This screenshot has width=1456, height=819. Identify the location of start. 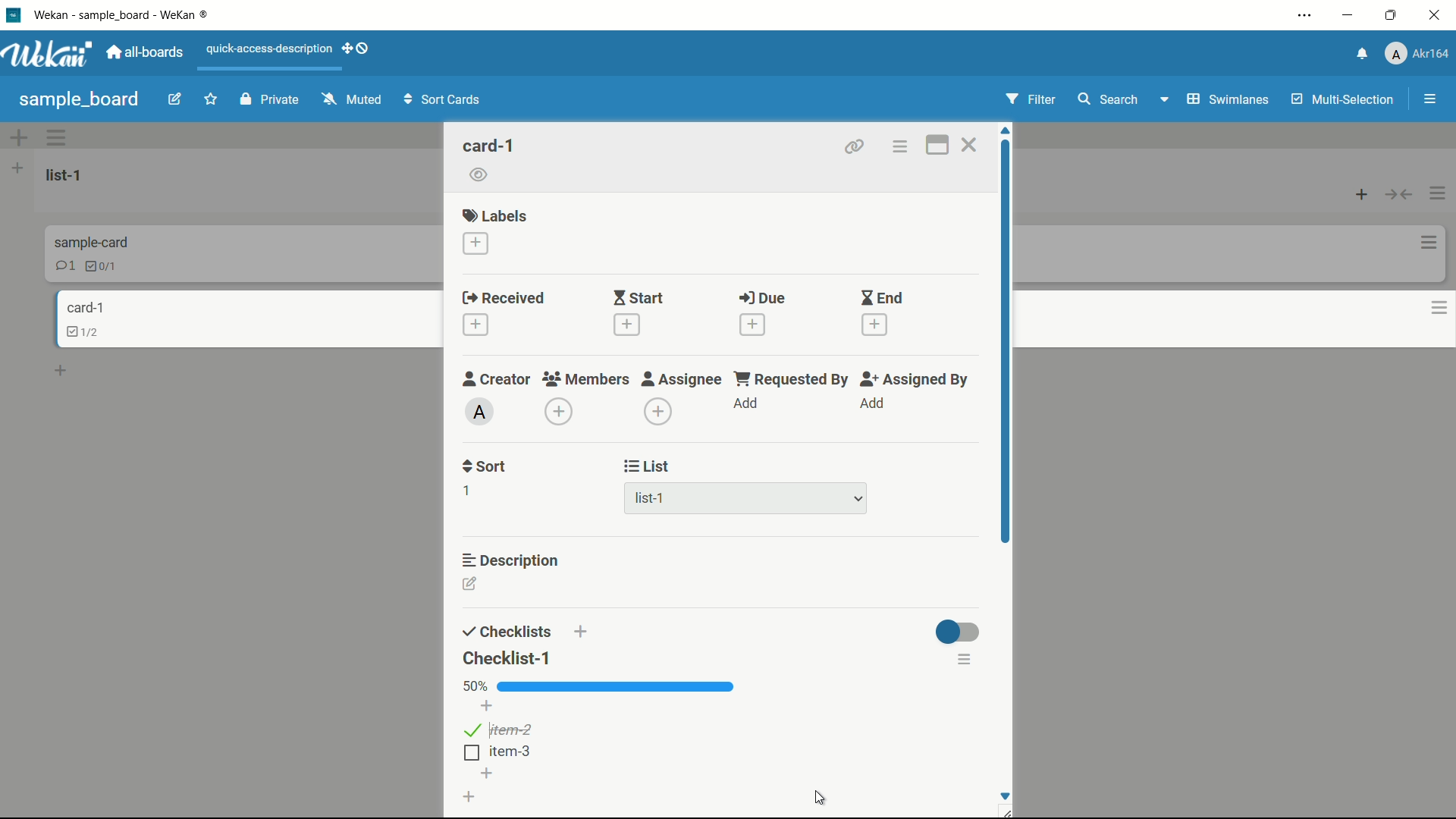
(639, 300).